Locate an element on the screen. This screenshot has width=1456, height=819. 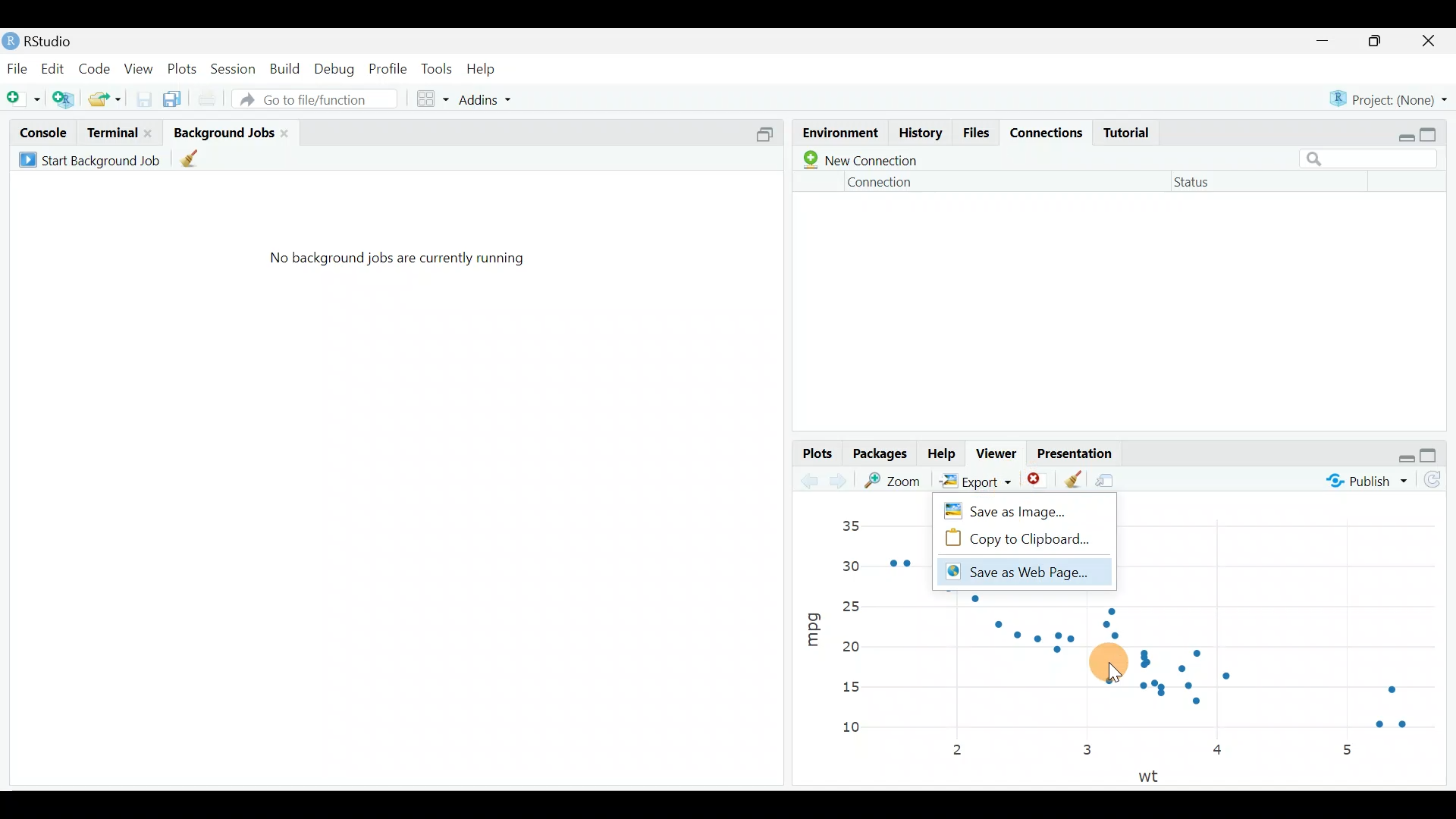
Environment is located at coordinates (839, 129).